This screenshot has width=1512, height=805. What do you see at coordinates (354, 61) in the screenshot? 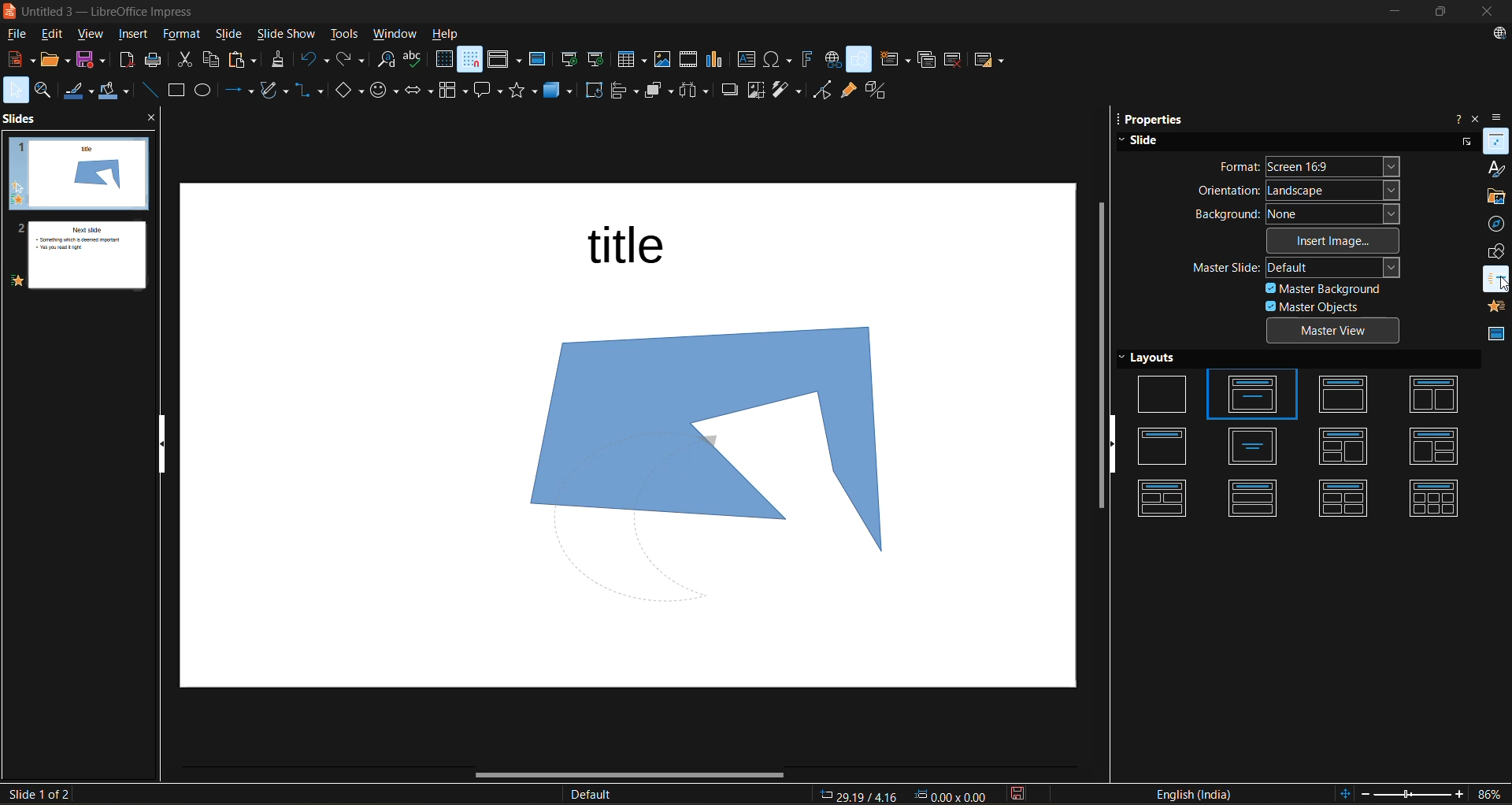
I see `redo` at bounding box center [354, 61].